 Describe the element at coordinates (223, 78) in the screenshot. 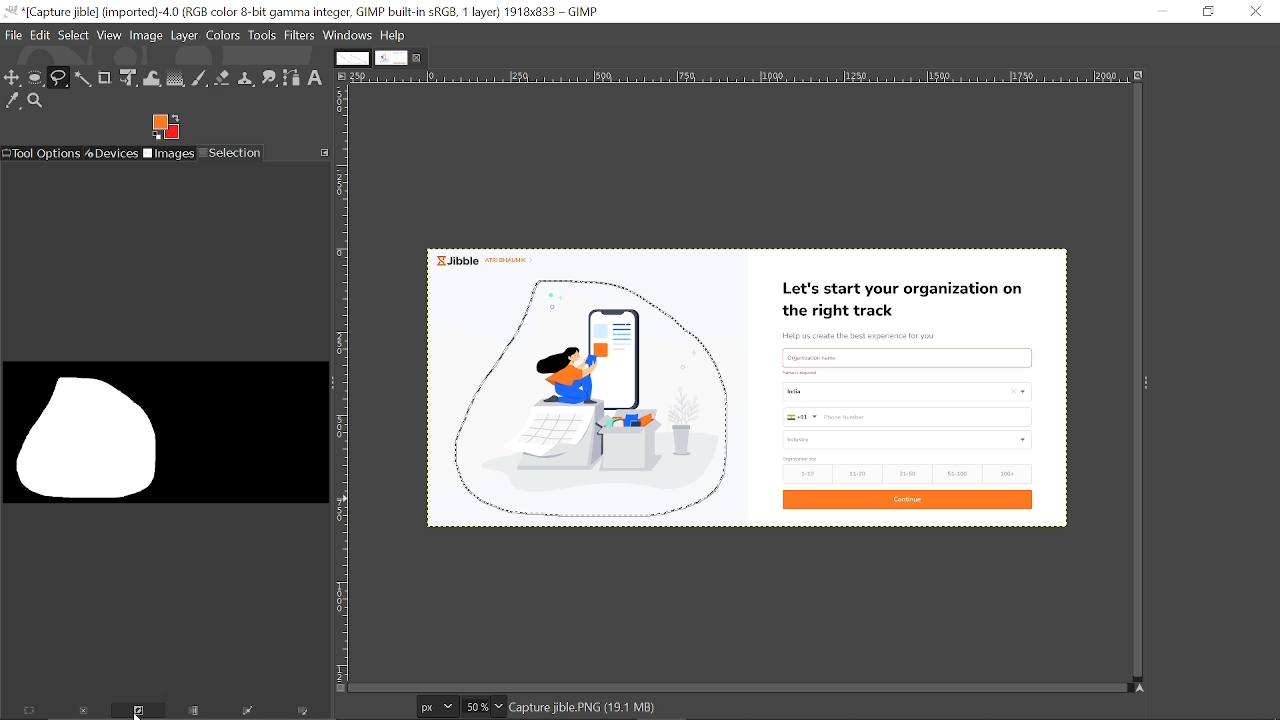

I see `Eraser tool` at that location.